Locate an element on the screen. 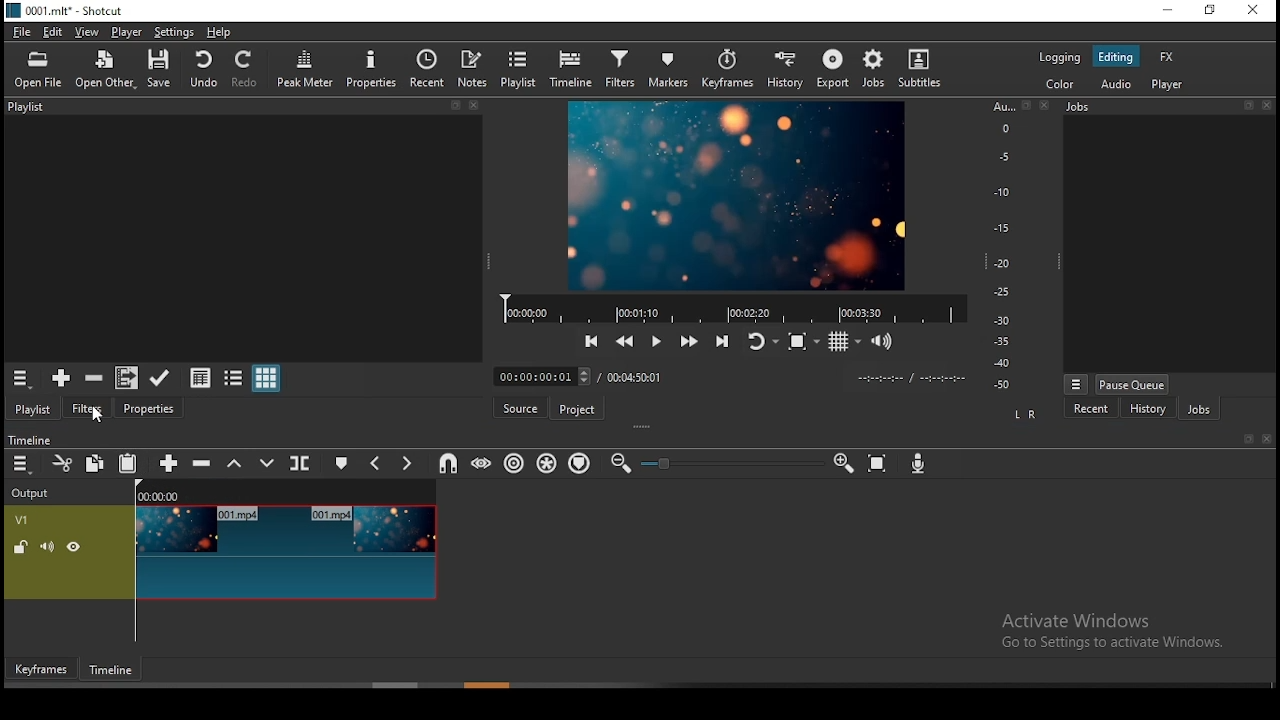 This screenshot has width=1280, height=720. notes is located at coordinates (475, 68).